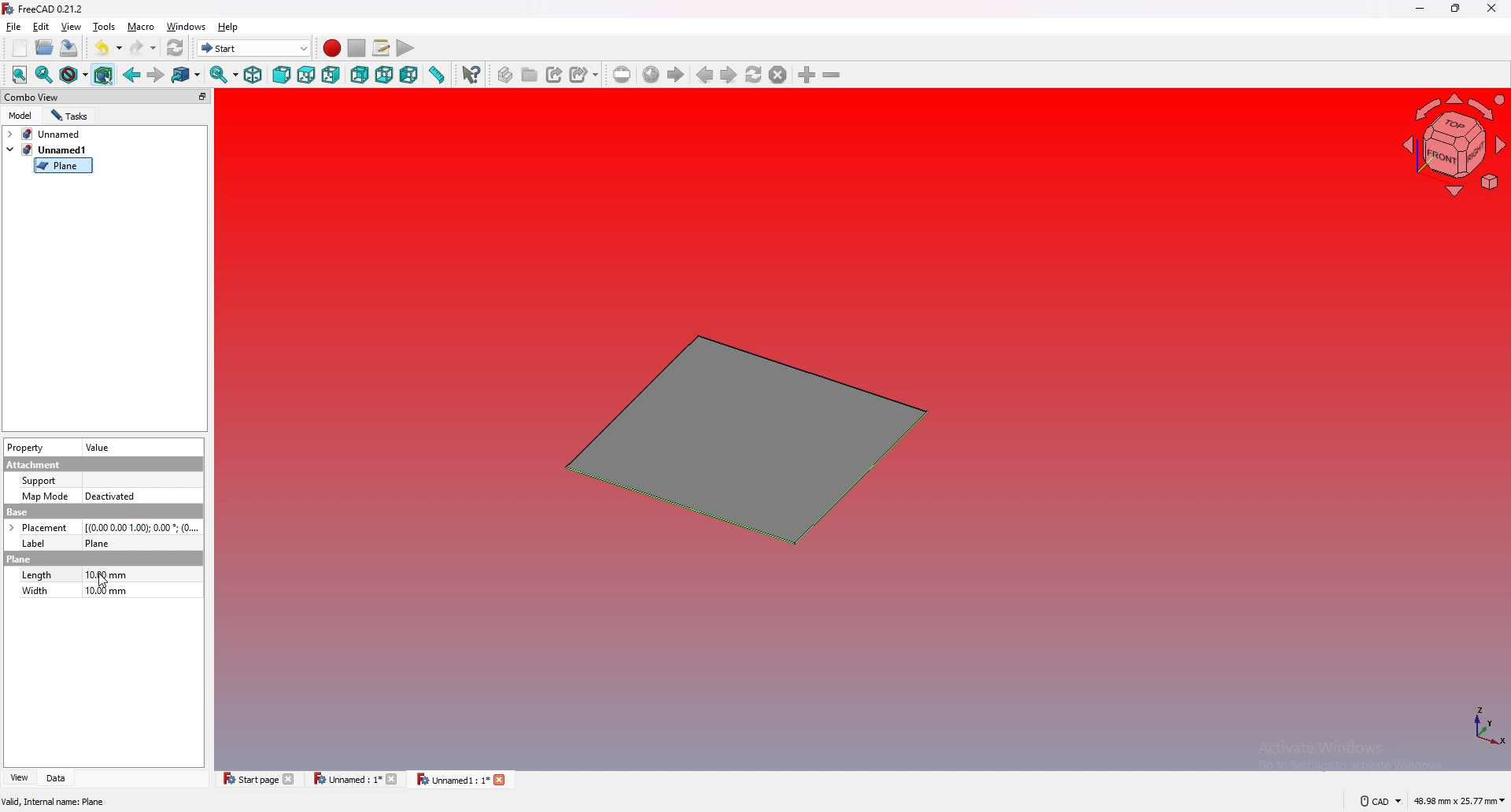 The width and height of the screenshot is (1511, 812). What do you see at coordinates (156, 76) in the screenshot?
I see `forward` at bounding box center [156, 76].